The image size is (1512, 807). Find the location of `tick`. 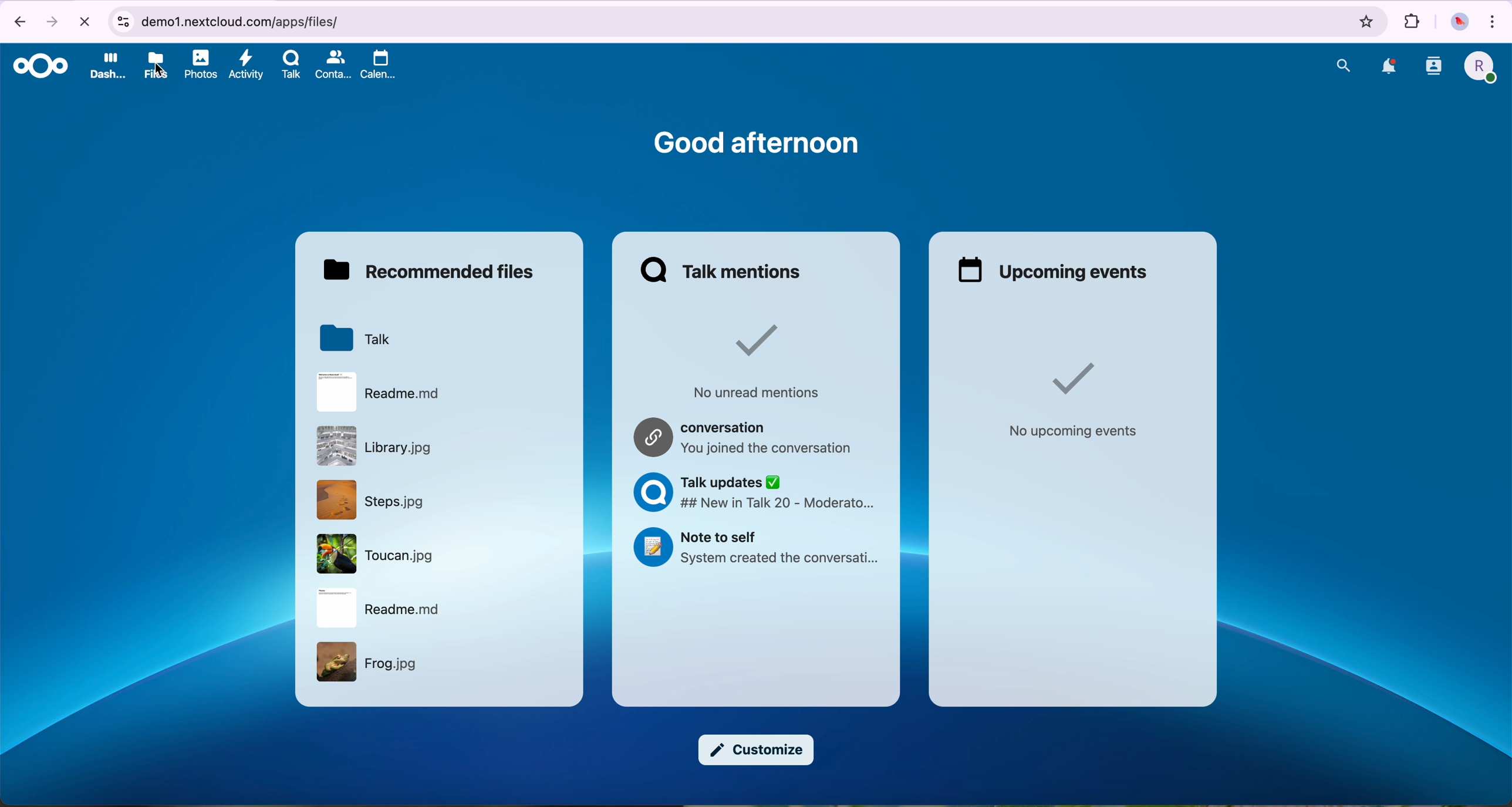

tick is located at coordinates (1069, 378).